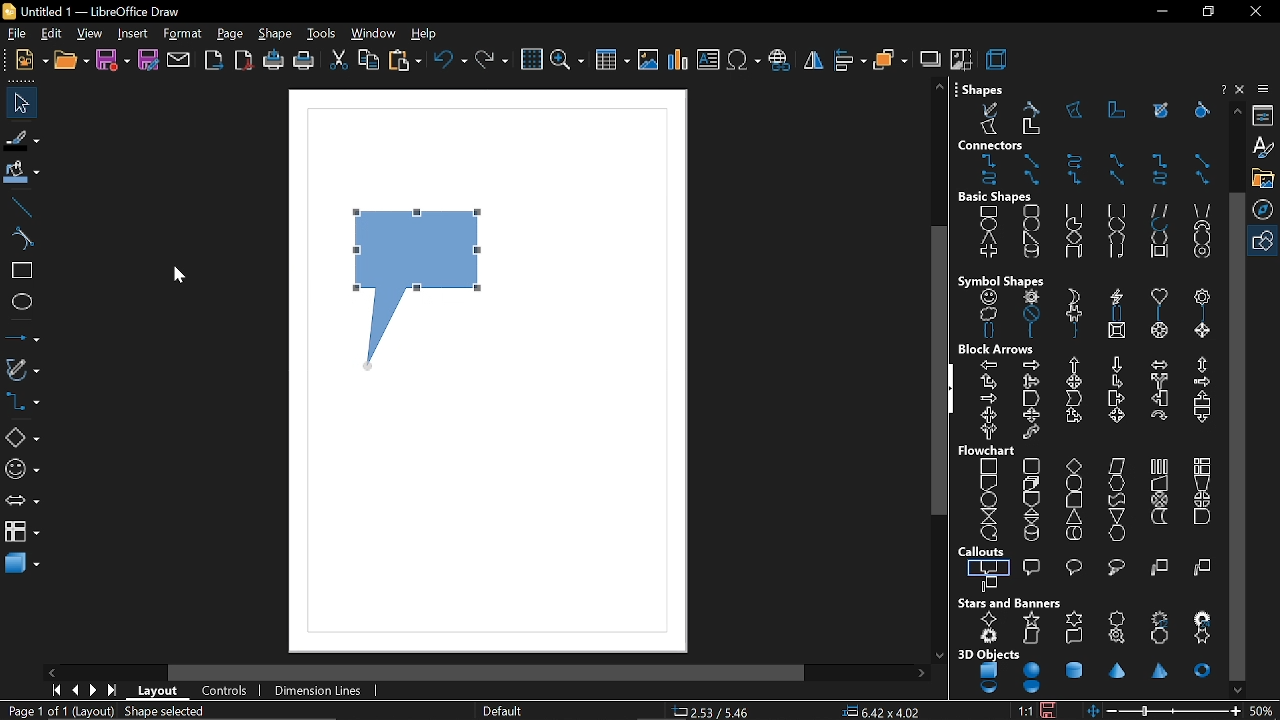  What do you see at coordinates (990, 465) in the screenshot?
I see `process` at bounding box center [990, 465].